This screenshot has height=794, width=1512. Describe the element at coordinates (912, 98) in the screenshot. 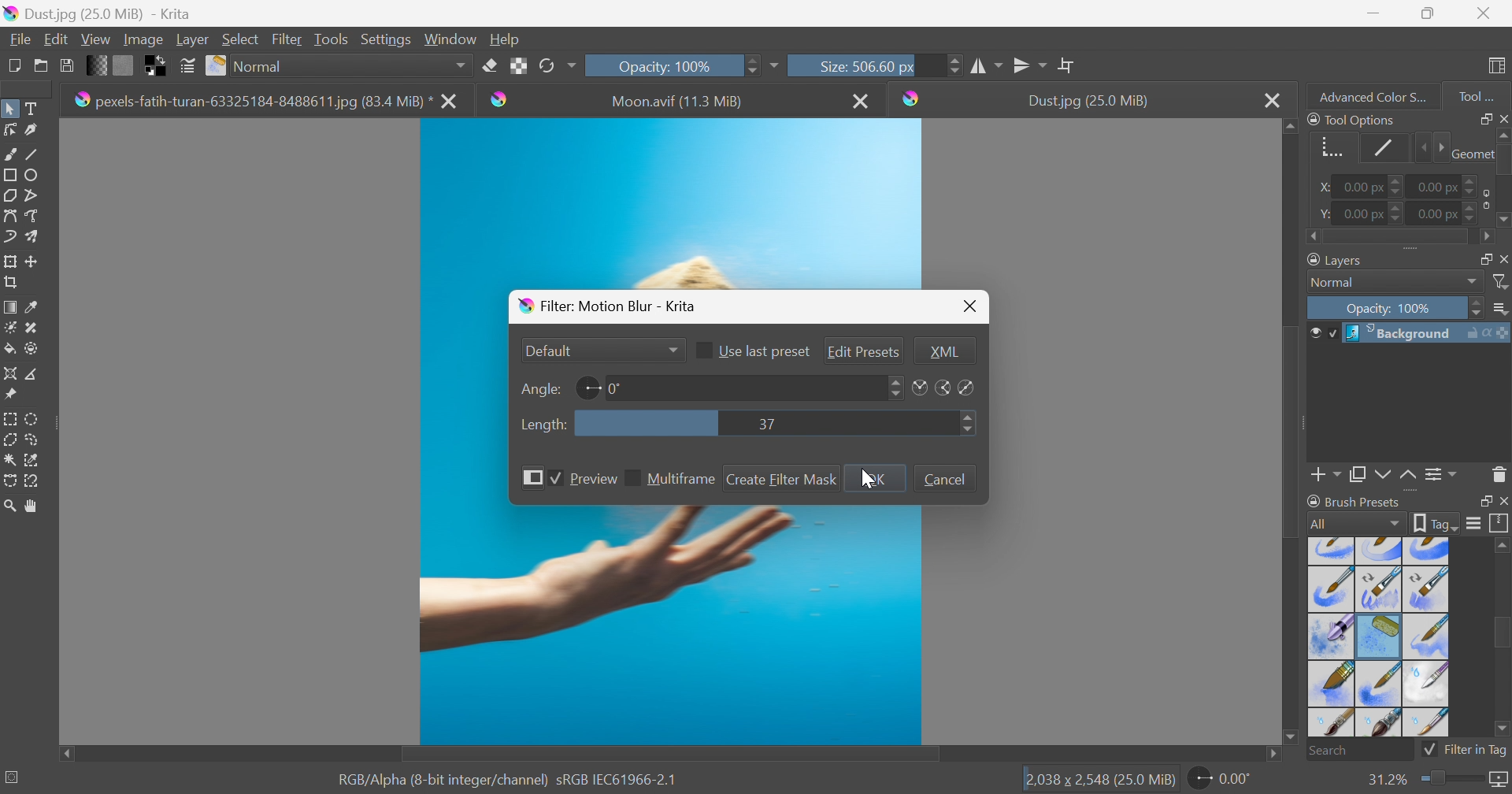

I see `Krita logo` at that location.